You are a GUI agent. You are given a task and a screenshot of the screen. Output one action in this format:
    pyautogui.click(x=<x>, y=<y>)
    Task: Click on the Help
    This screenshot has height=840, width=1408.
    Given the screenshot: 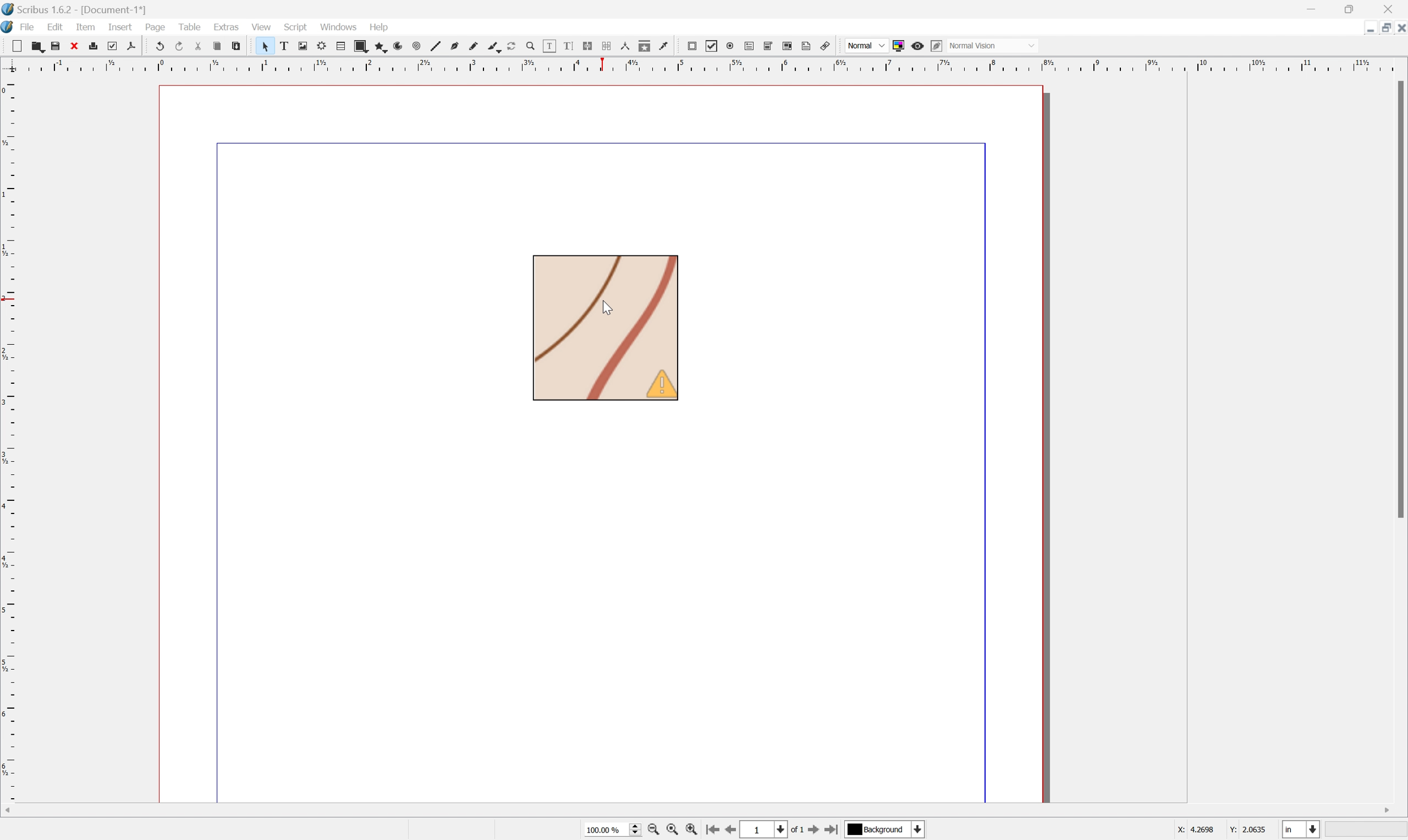 What is the action you would take?
    pyautogui.click(x=376, y=27)
    